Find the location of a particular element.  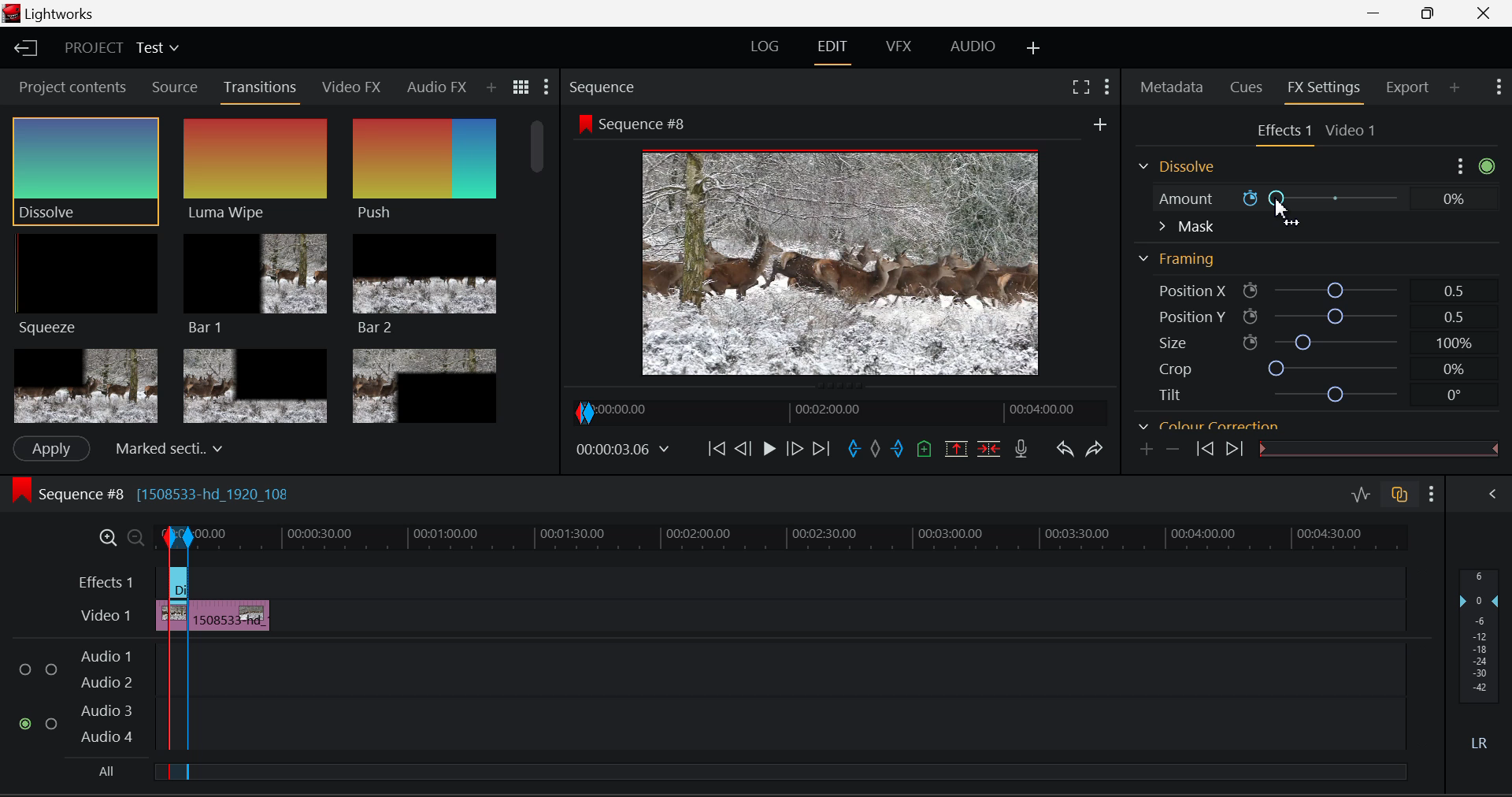

Video Paused is located at coordinates (767, 450).